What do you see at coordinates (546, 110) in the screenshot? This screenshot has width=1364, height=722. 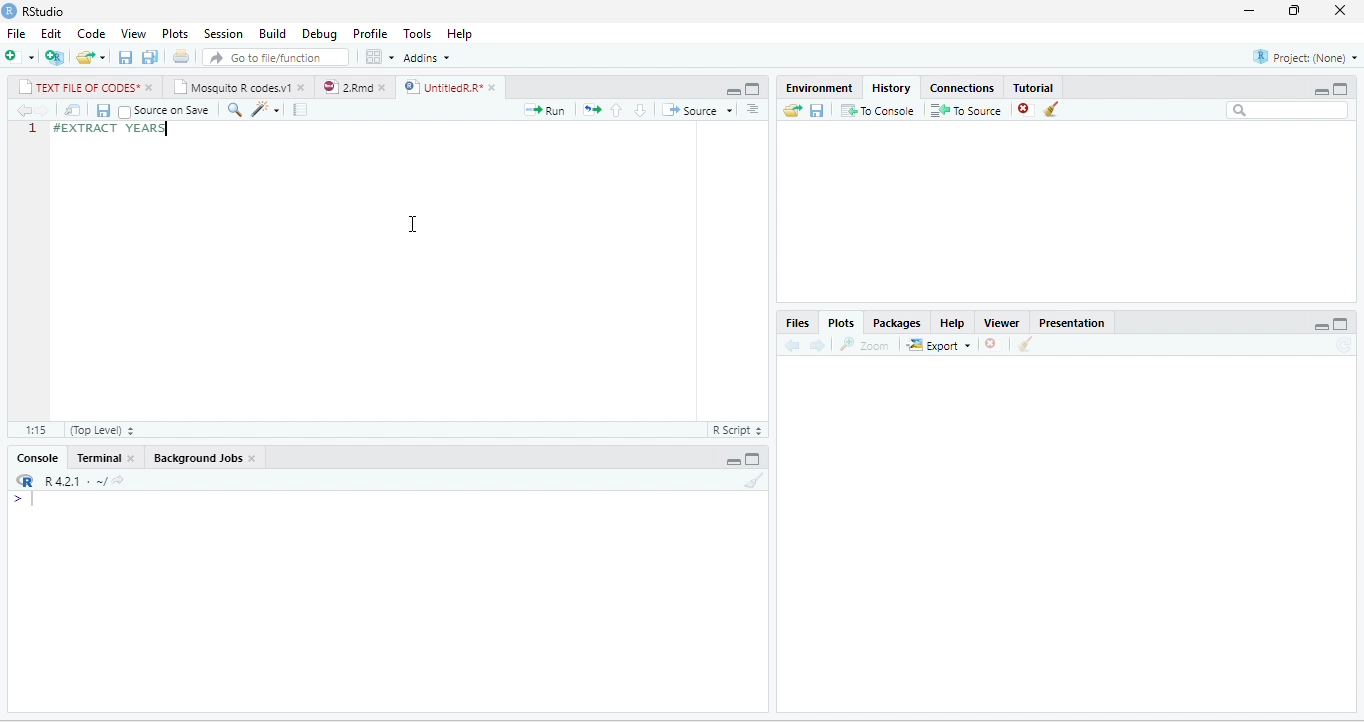 I see `run` at bounding box center [546, 110].